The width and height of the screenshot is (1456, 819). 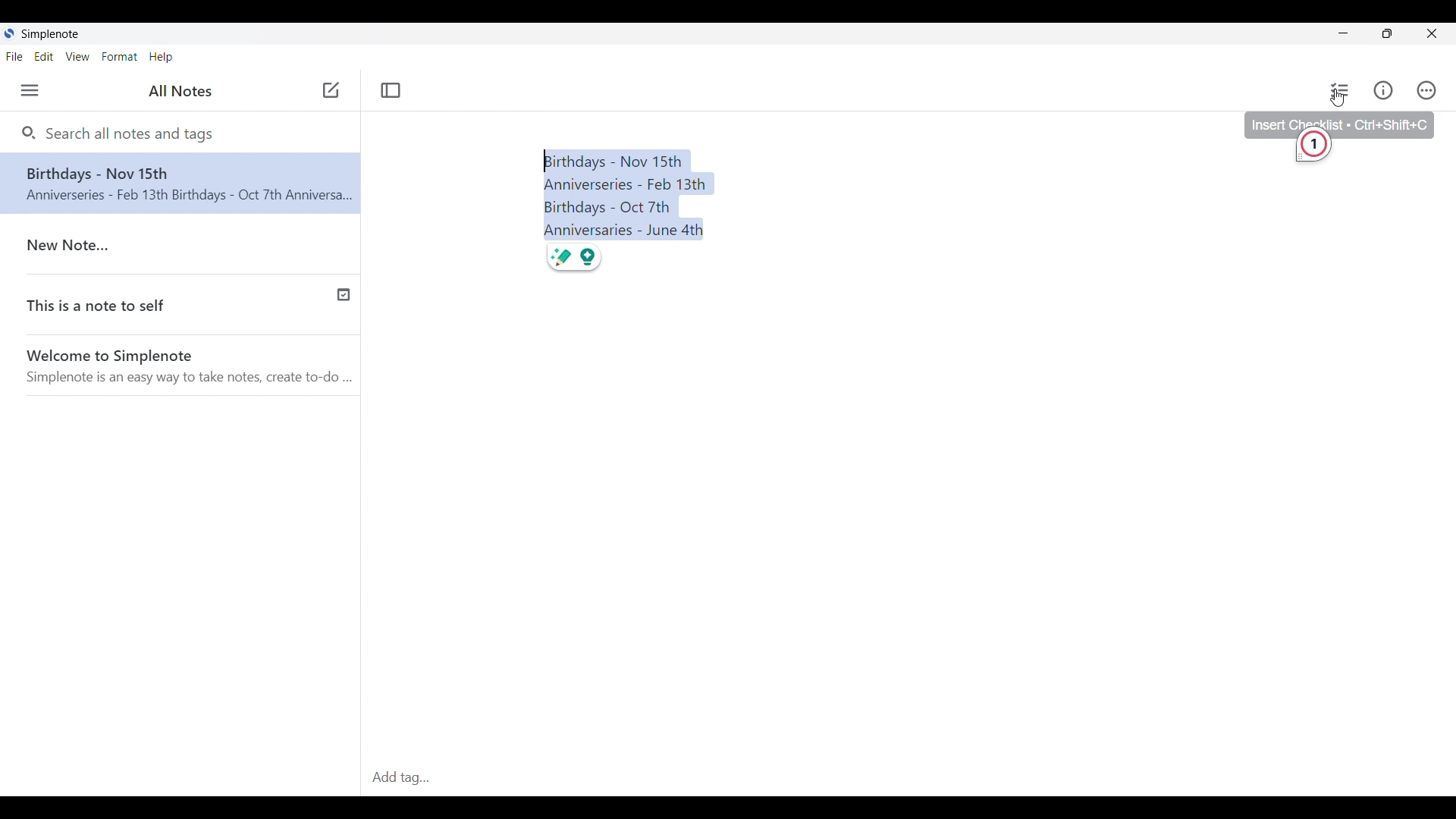 I want to click on Actions, so click(x=1426, y=90).